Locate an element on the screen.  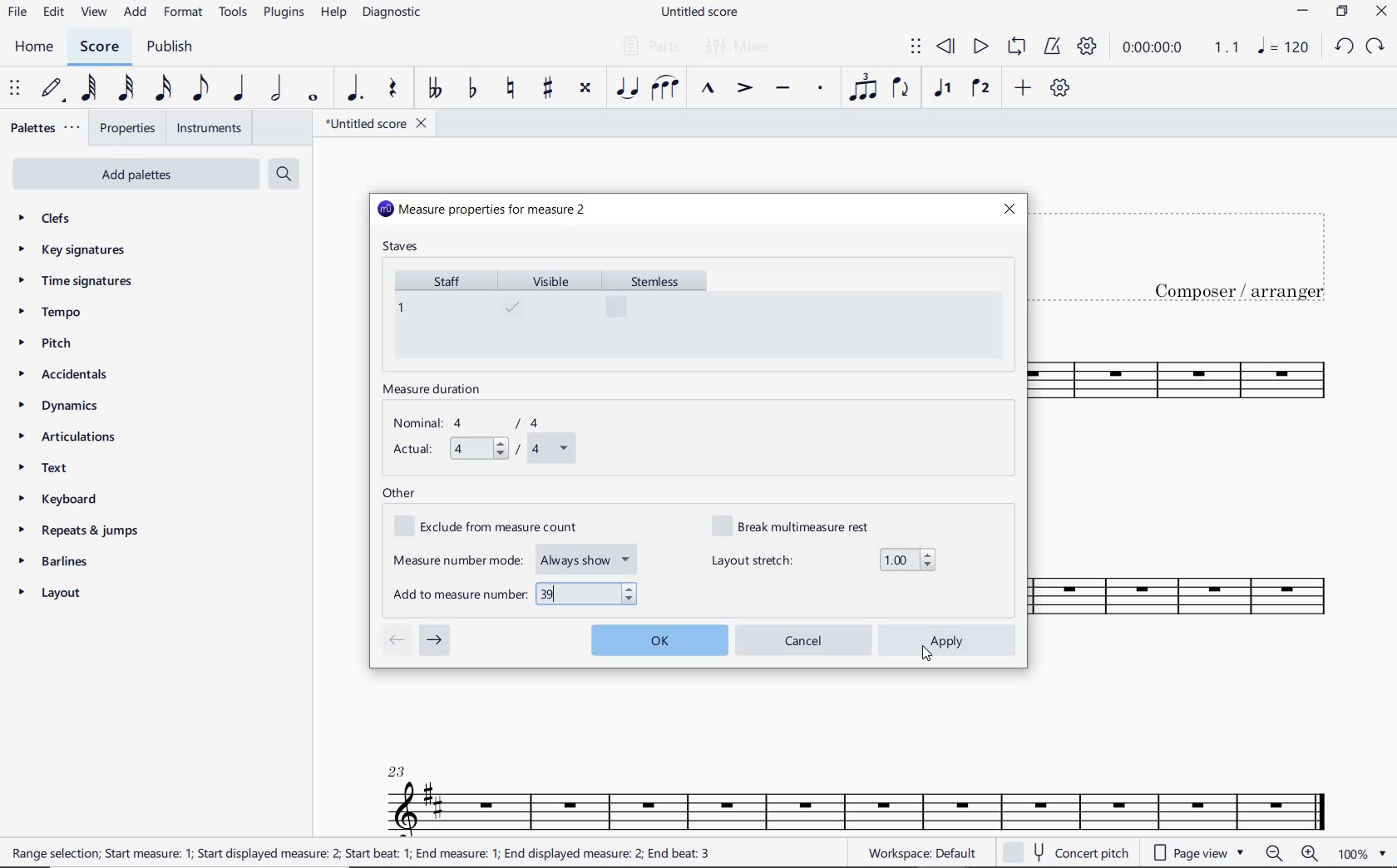
close is located at coordinates (1009, 209).